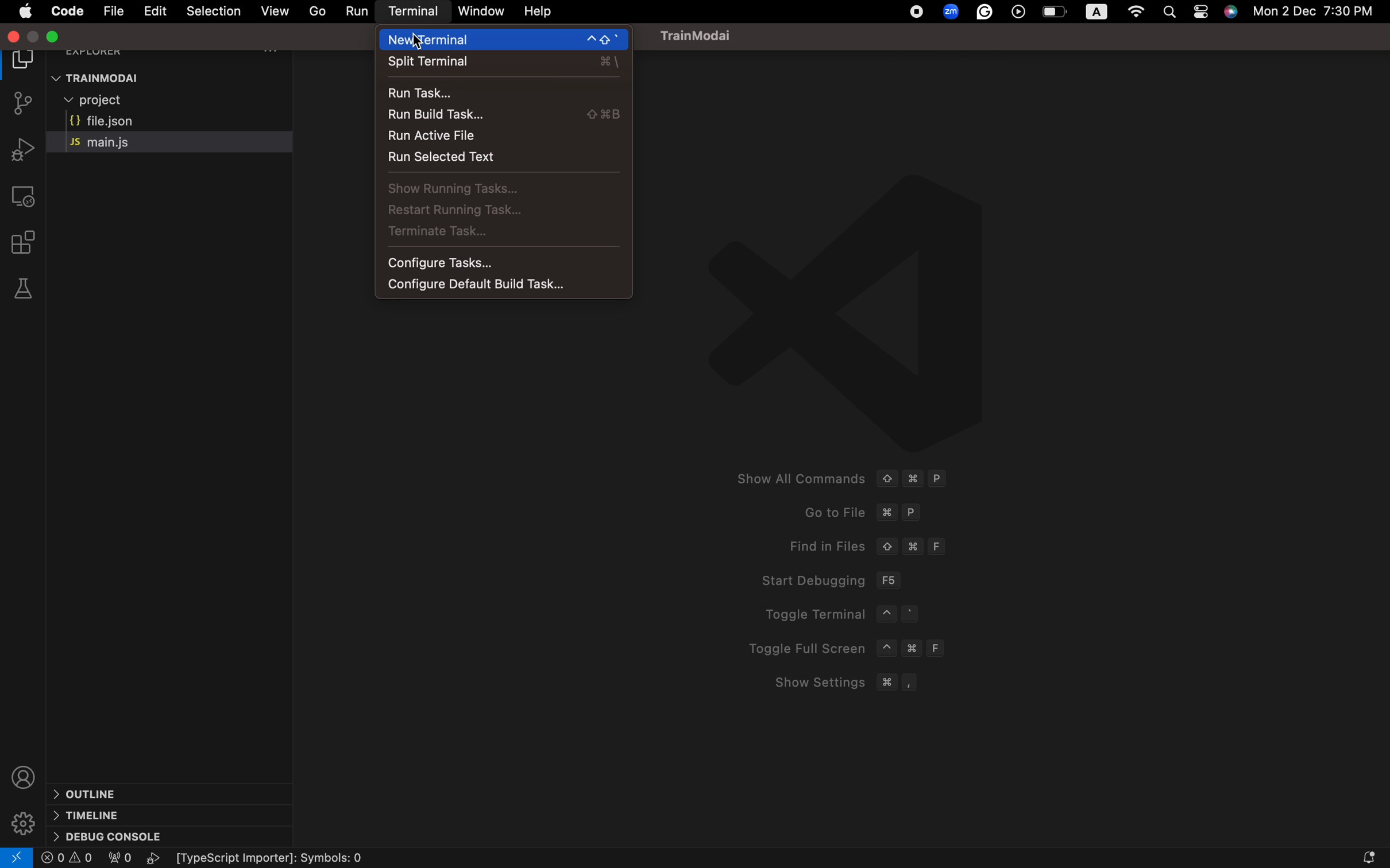 The image size is (1390, 868). Describe the element at coordinates (23, 773) in the screenshot. I see `profile` at that location.